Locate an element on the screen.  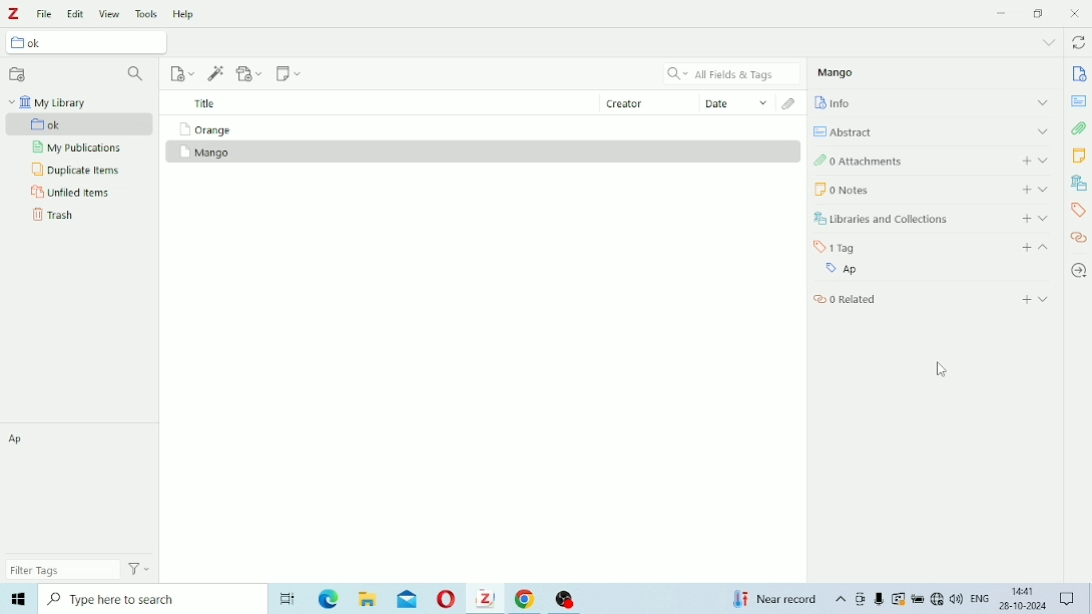
Related is located at coordinates (932, 298).